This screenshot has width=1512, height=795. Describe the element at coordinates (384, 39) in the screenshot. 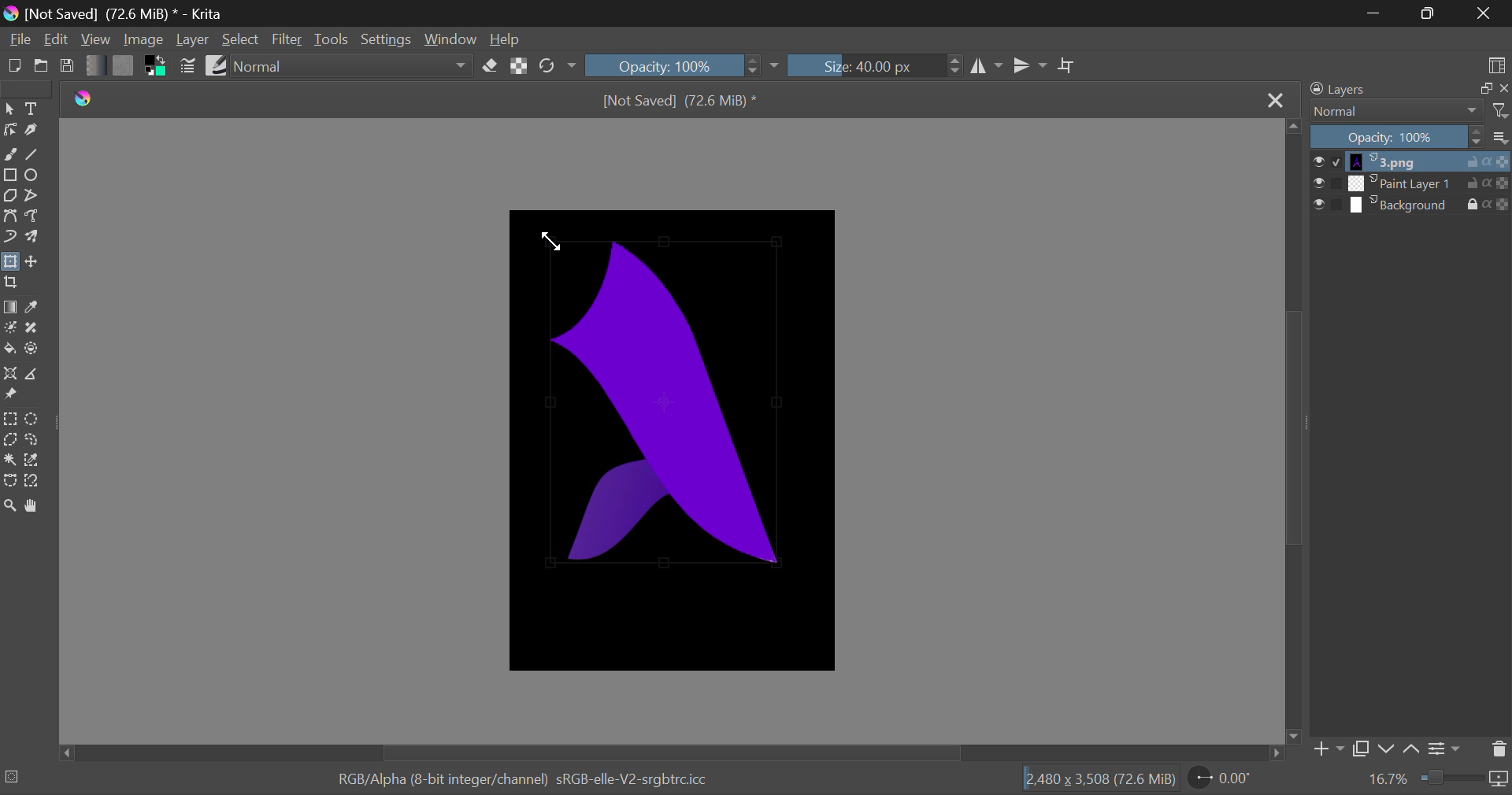

I see `Settings` at that location.